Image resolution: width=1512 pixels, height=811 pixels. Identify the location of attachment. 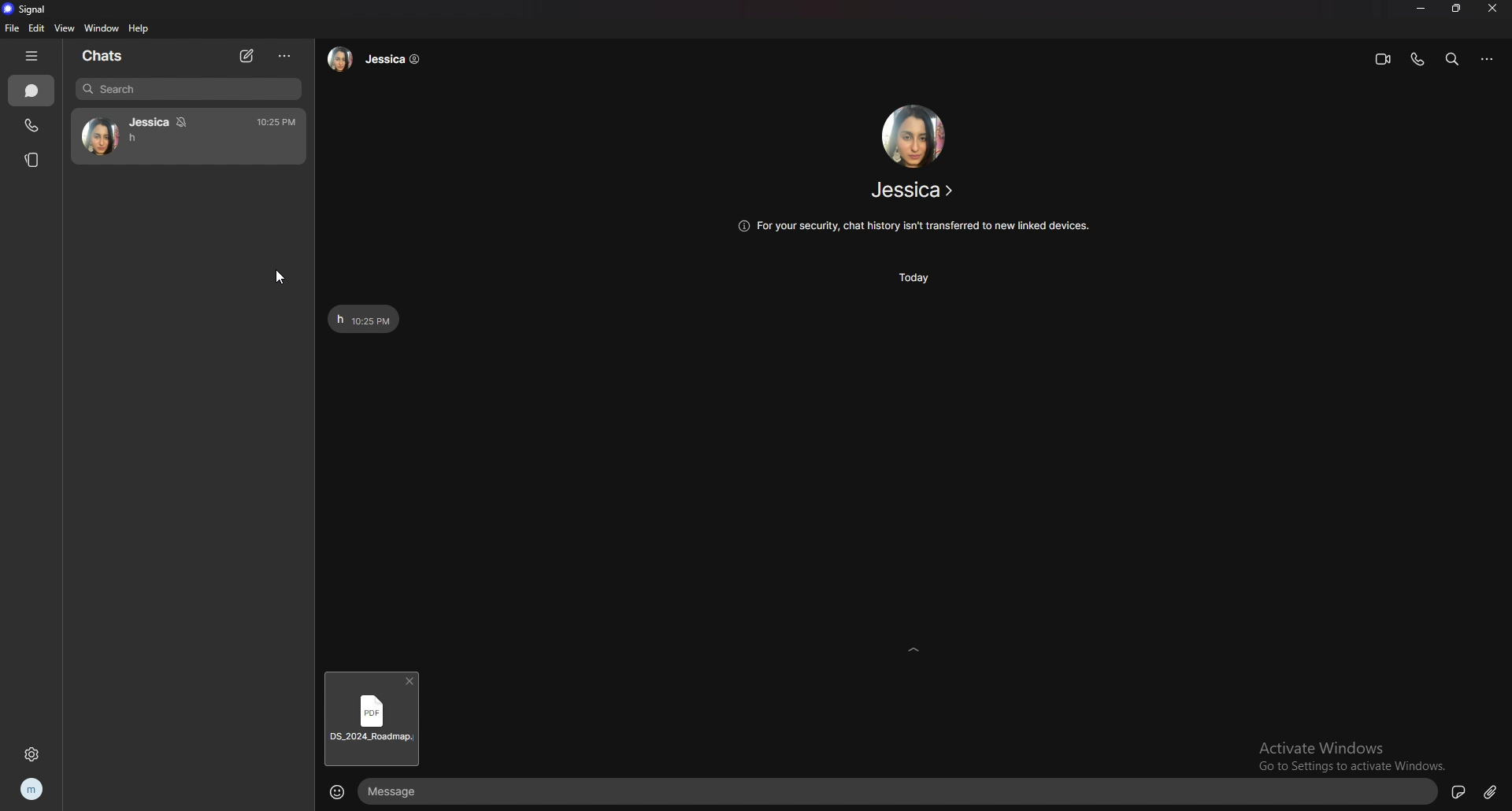
(1491, 791).